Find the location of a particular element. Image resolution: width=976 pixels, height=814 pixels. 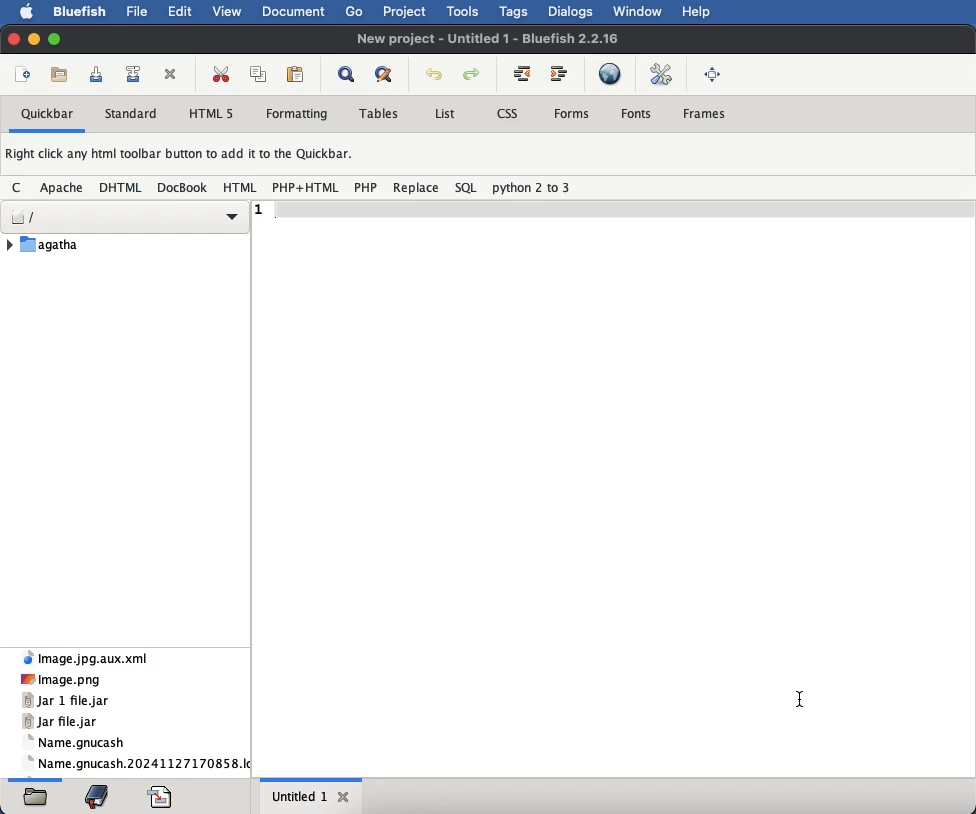

bookmark is located at coordinates (99, 795).